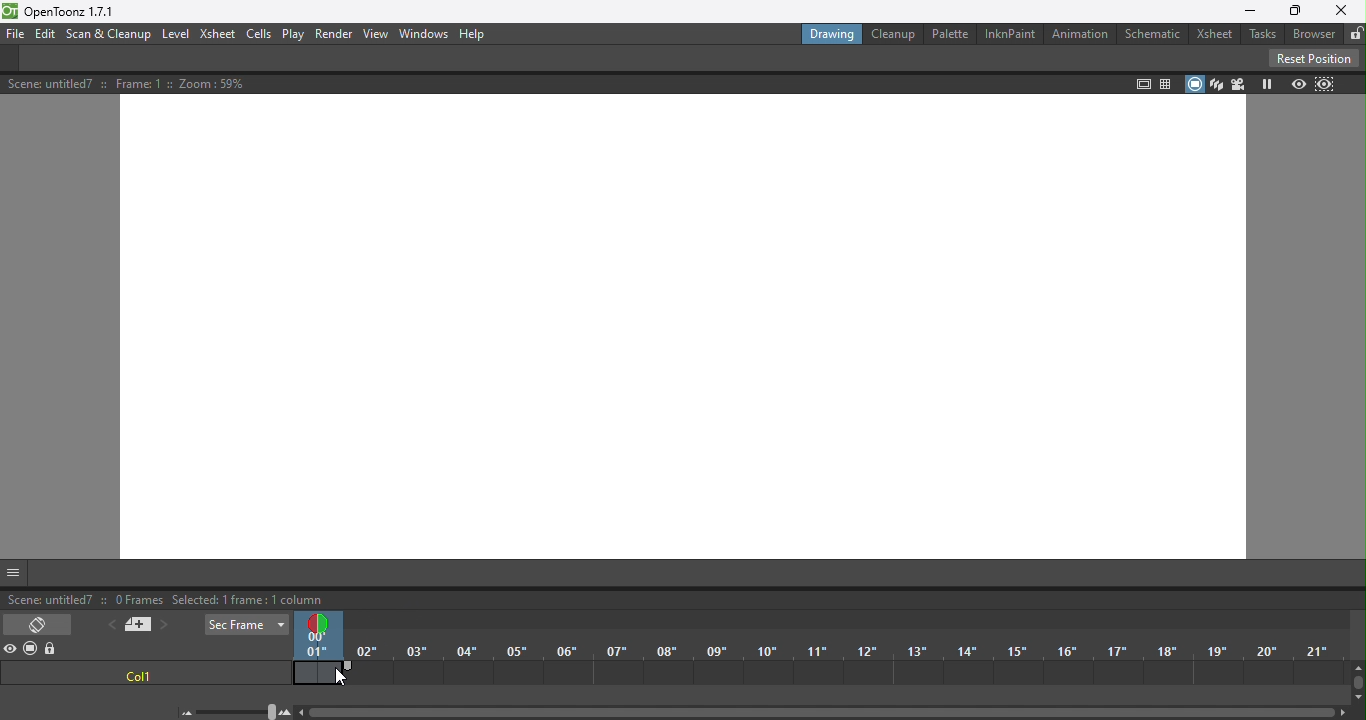  What do you see at coordinates (1311, 35) in the screenshot?
I see `Browser` at bounding box center [1311, 35].